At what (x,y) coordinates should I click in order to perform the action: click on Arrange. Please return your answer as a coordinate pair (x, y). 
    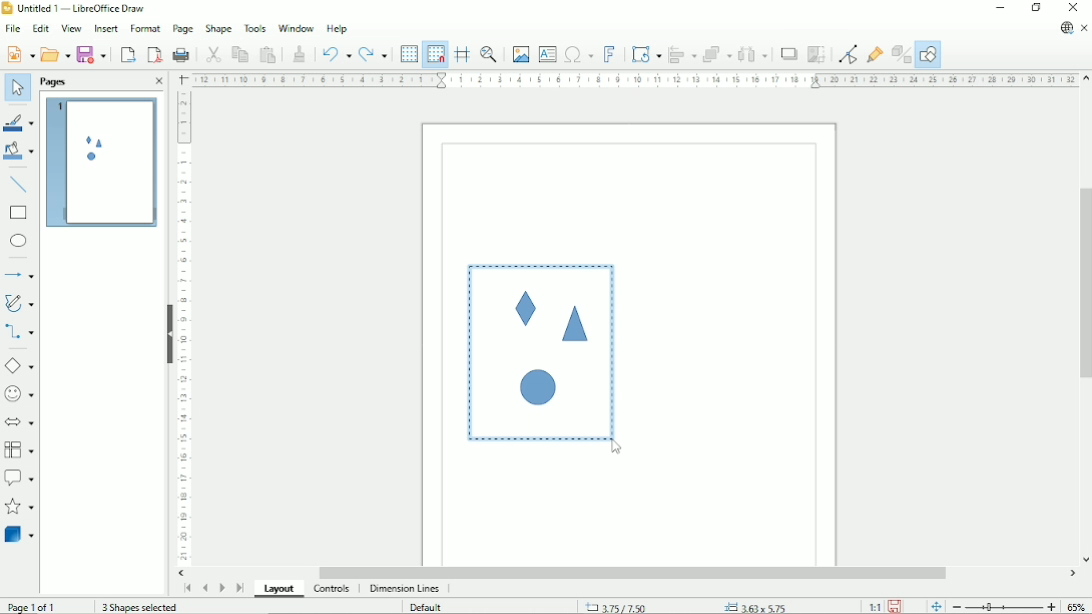
    Looking at the image, I should click on (717, 54).